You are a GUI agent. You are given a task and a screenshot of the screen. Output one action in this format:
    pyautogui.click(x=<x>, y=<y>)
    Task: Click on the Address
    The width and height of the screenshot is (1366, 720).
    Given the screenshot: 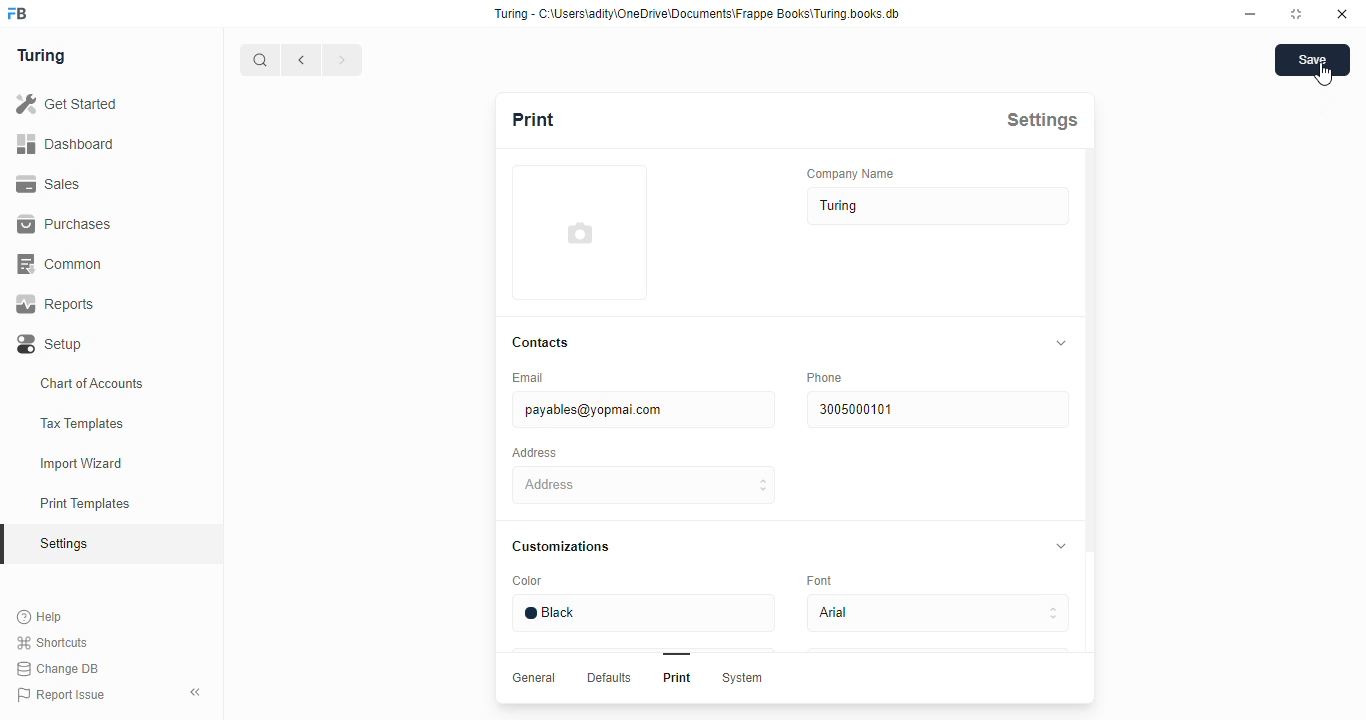 What is the action you would take?
    pyautogui.click(x=538, y=452)
    